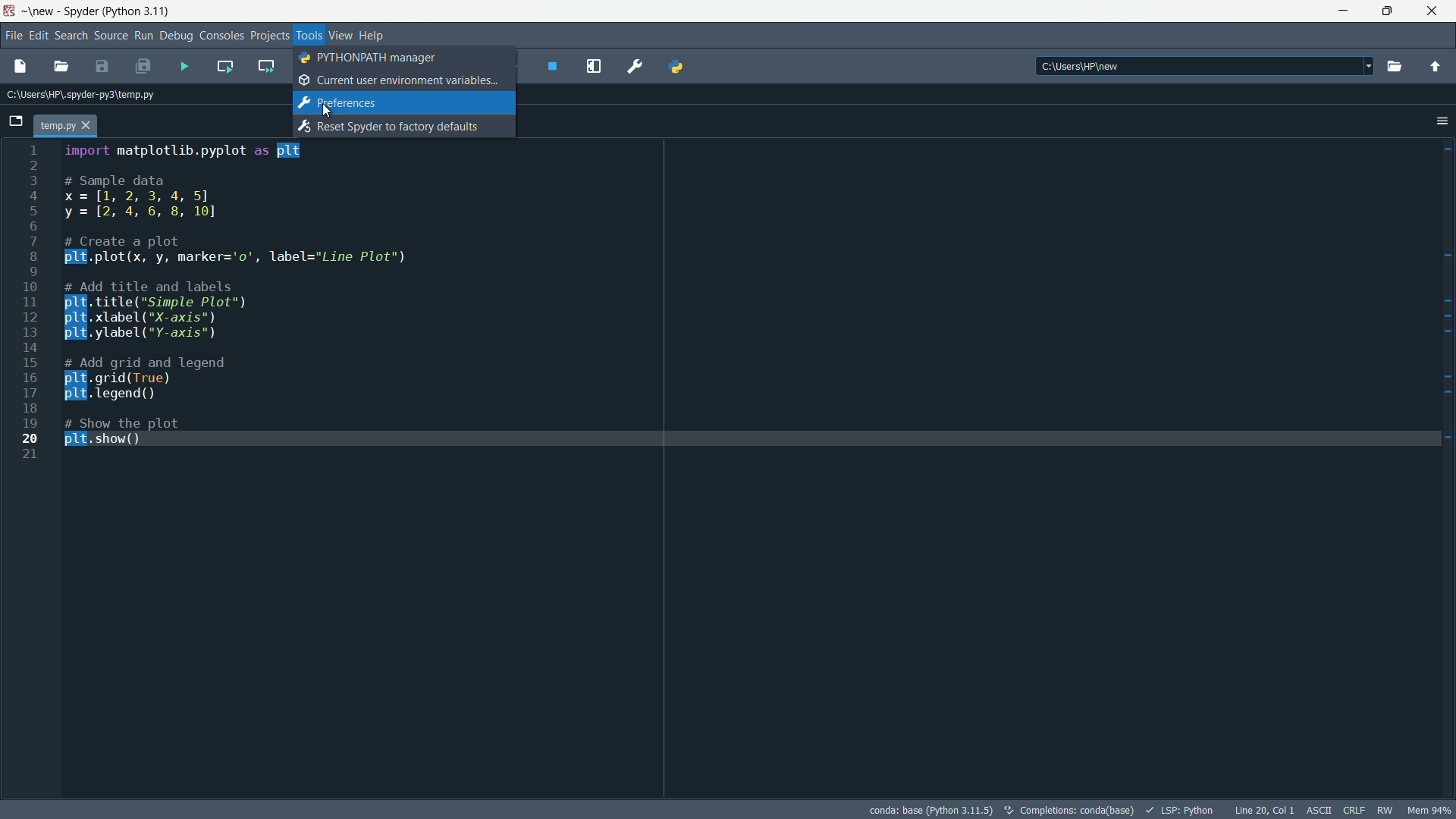 The image size is (1456, 819). Describe the element at coordinates (1385, 810) in the screenshot. I see `rw` at that location.